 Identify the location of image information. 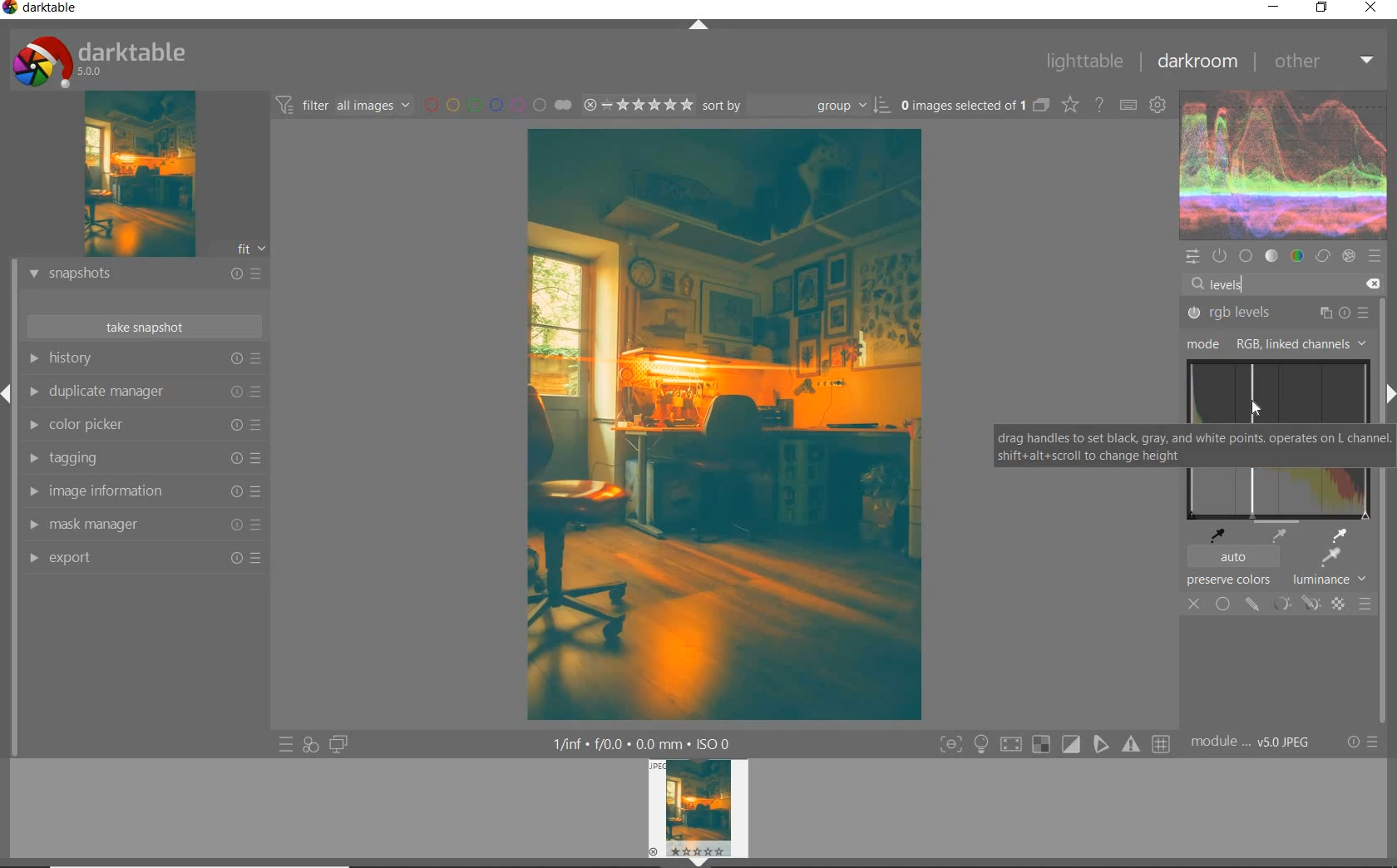
(143, 491).